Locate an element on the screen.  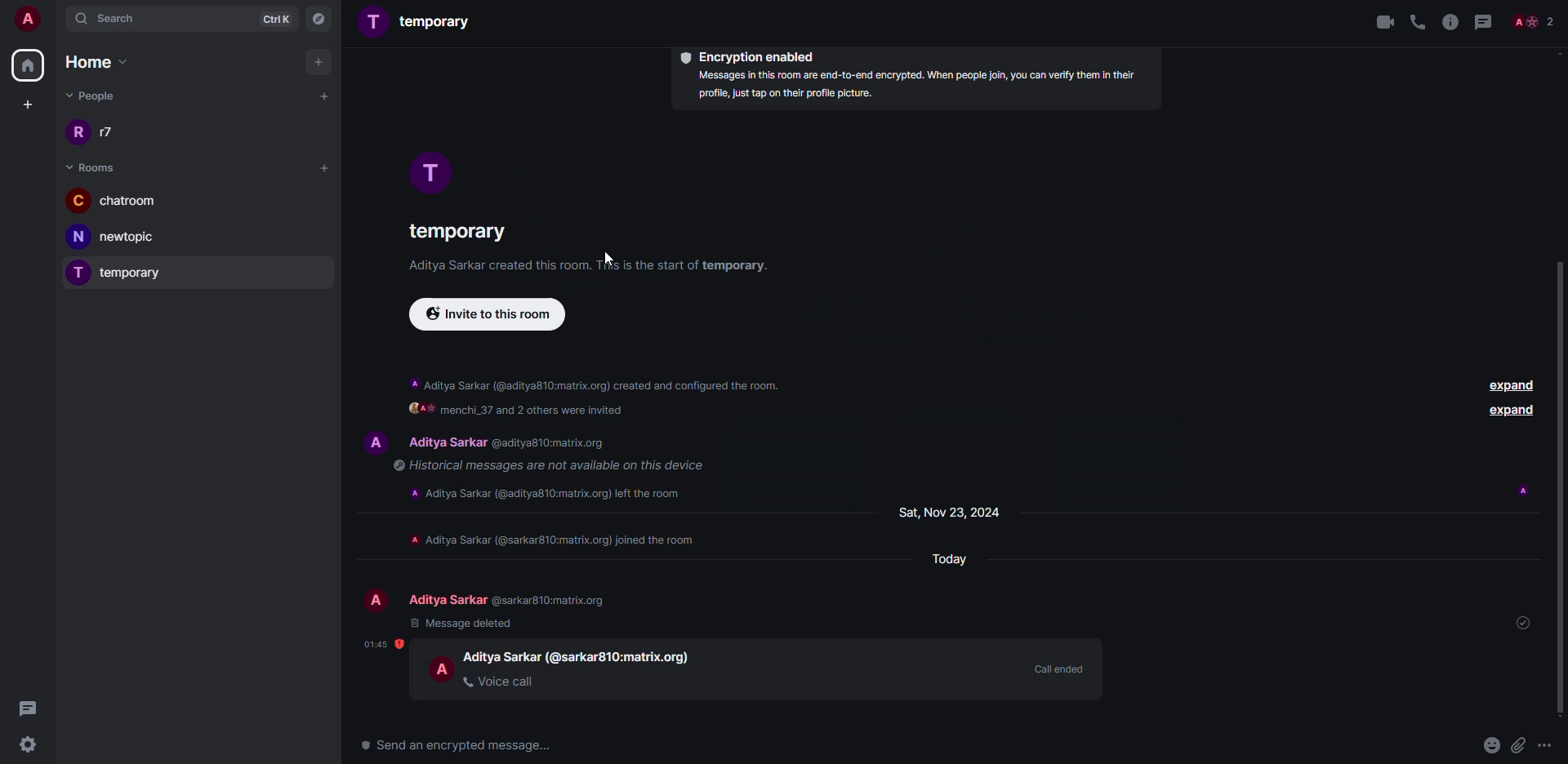
ctrlK is located at coordinates (275, 18).